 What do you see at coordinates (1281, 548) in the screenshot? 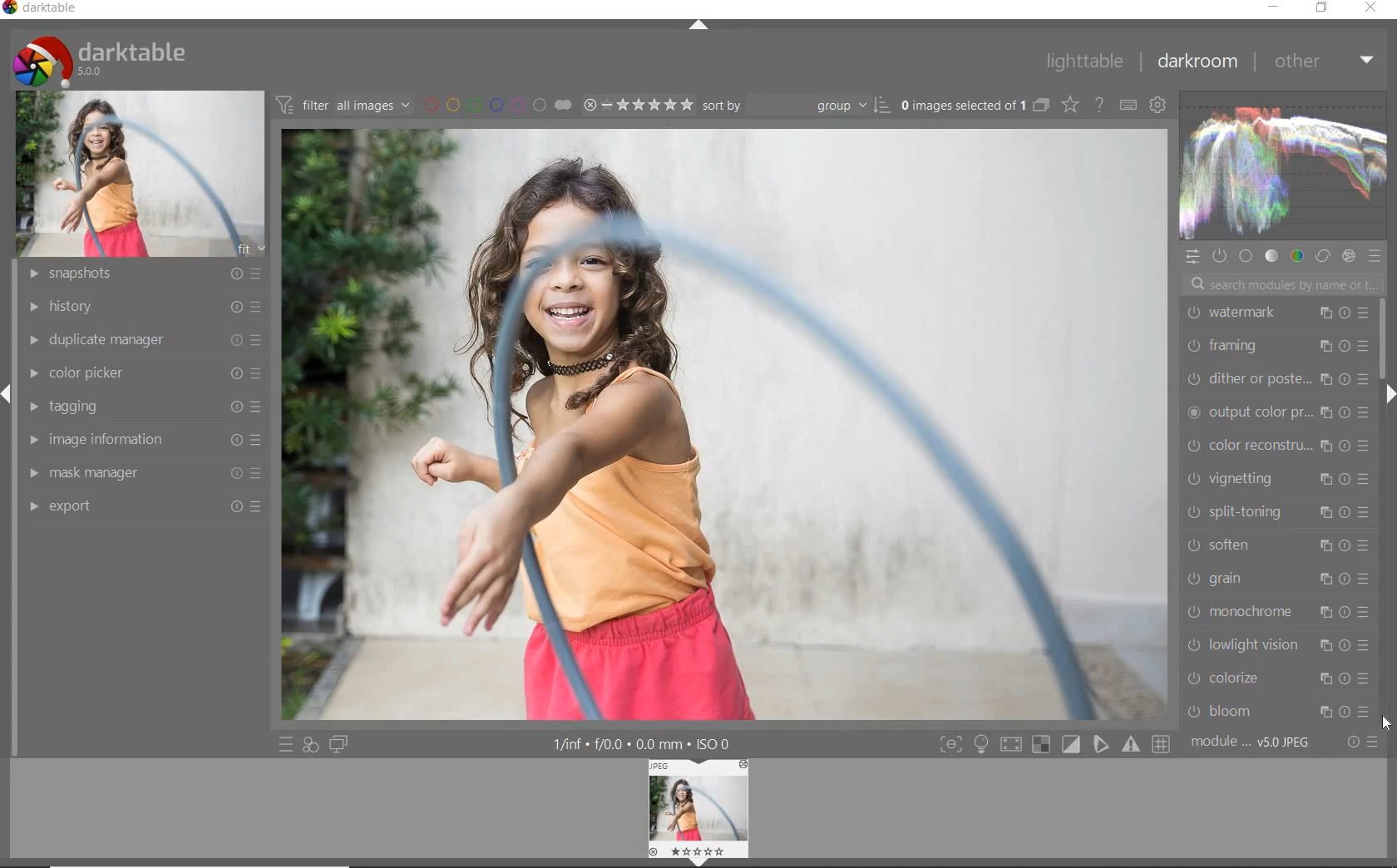
I see `soften` at bounding box center [1281, 548].